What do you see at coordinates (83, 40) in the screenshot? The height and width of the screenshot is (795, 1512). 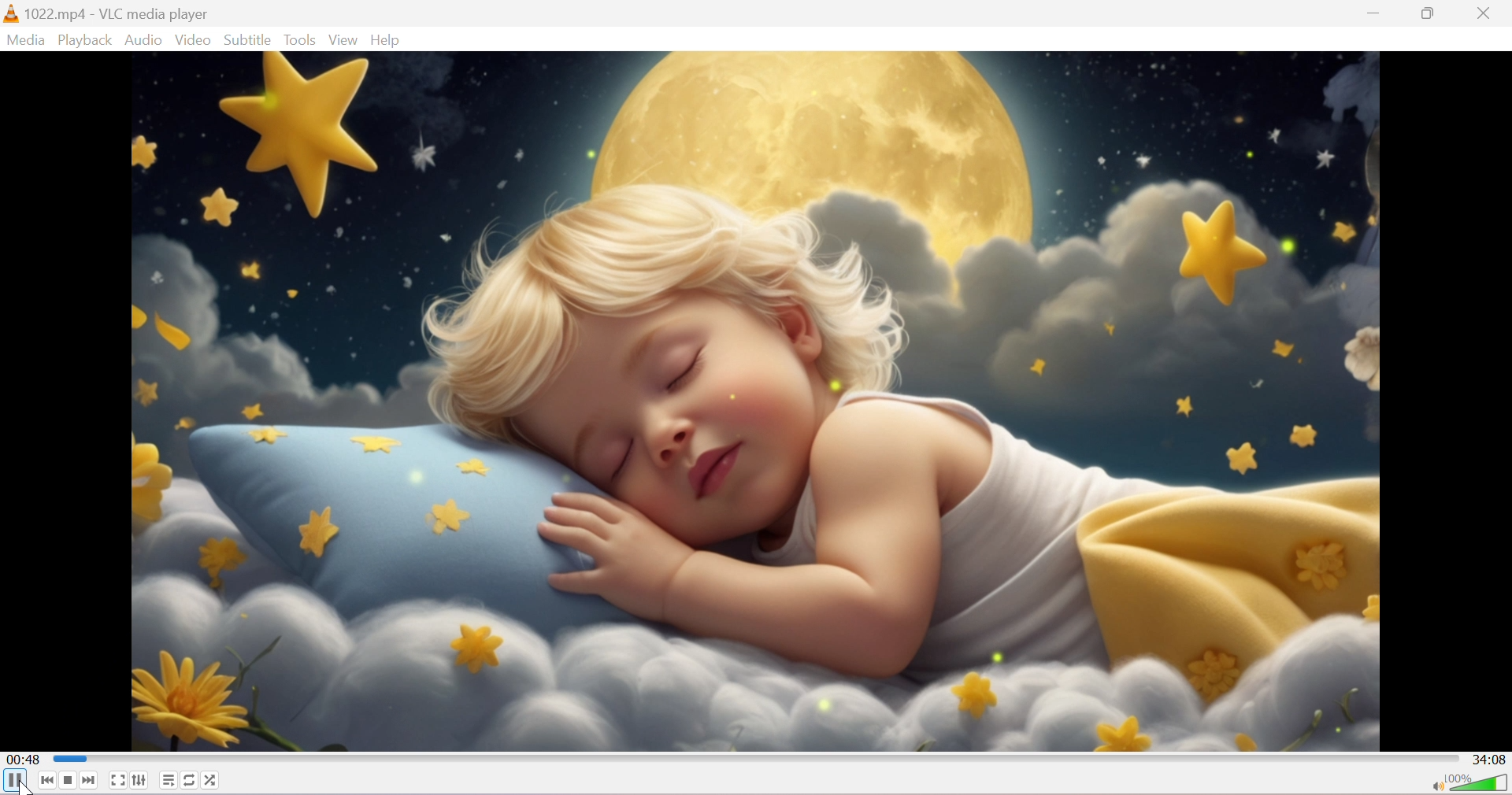 I see `Playback` at bounding box center [83, 40].